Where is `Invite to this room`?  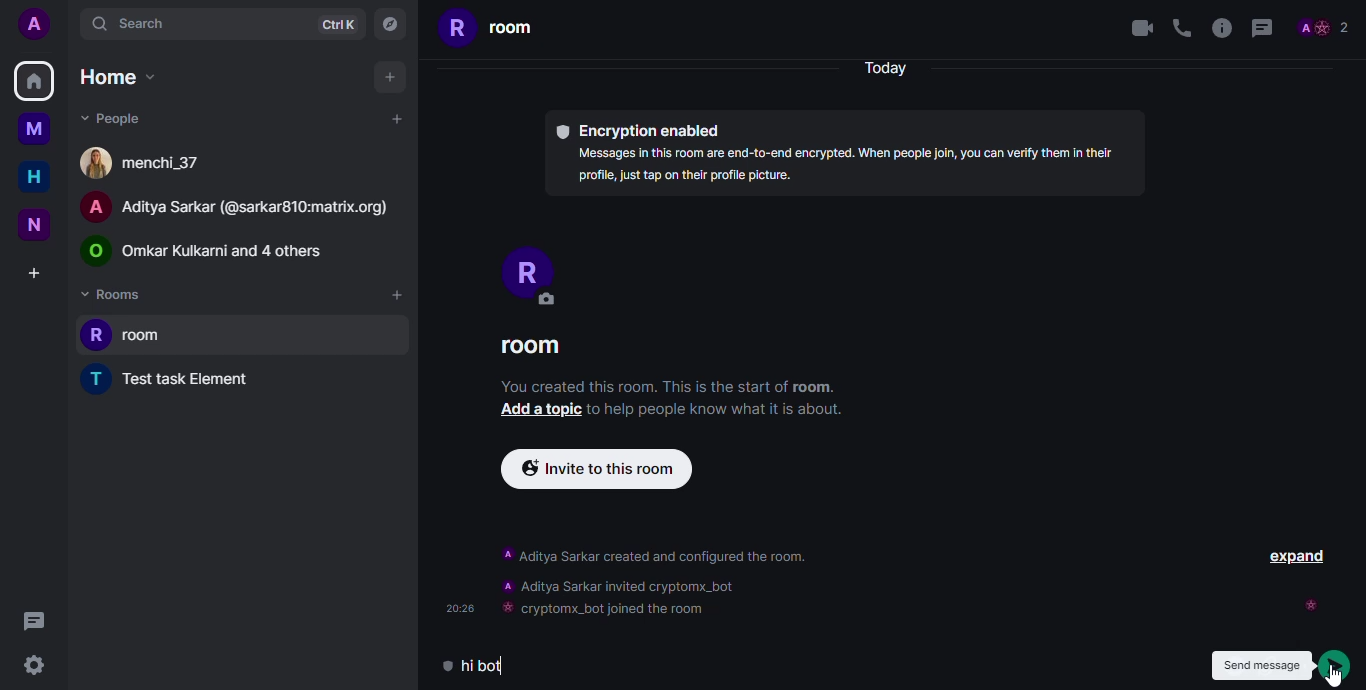 Invite to this room is located at coordinates (595, 470).